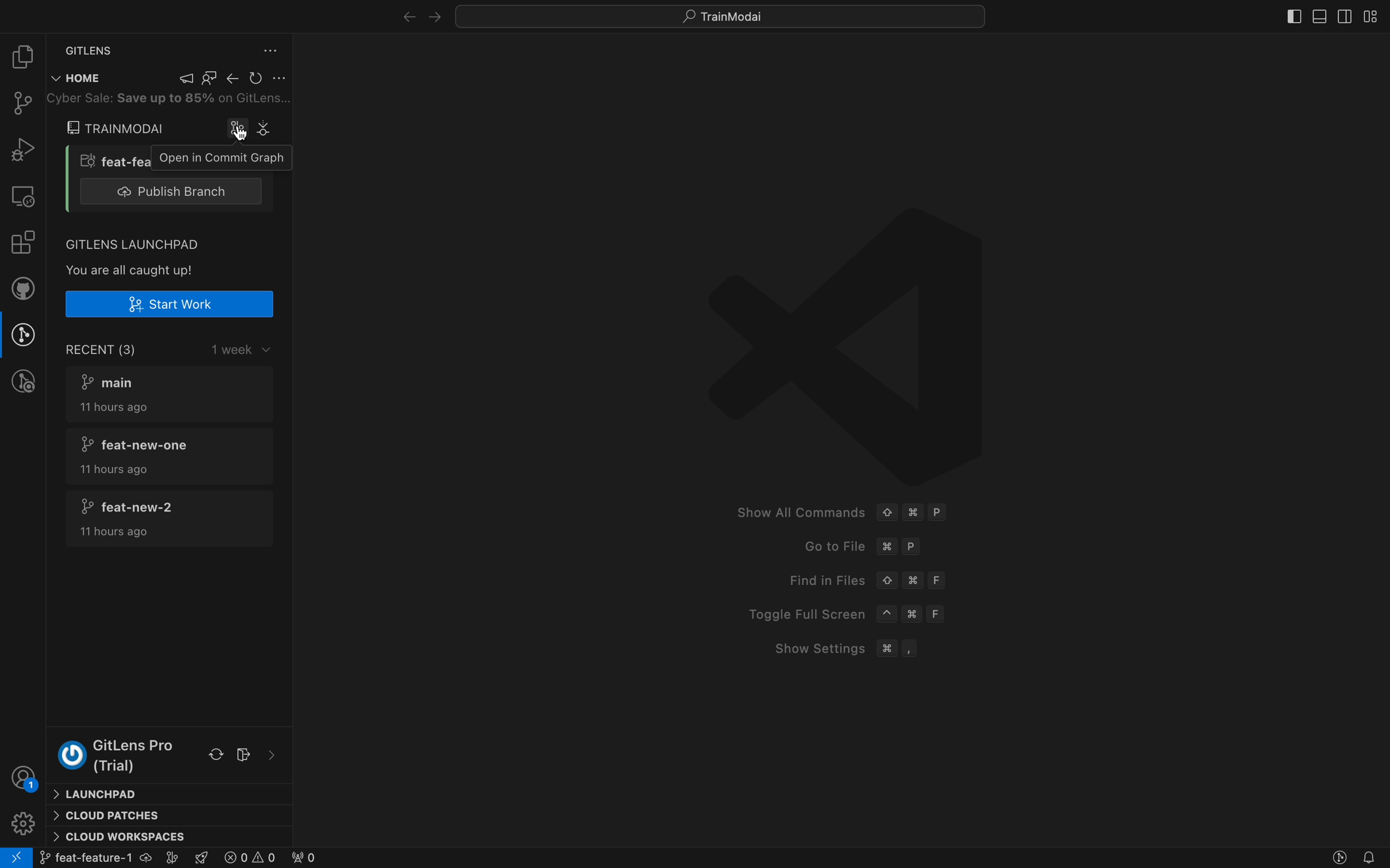  What do you see at coordinates (26, 289) in the screenshot?
I see `github` at bounding box center [26, 289].